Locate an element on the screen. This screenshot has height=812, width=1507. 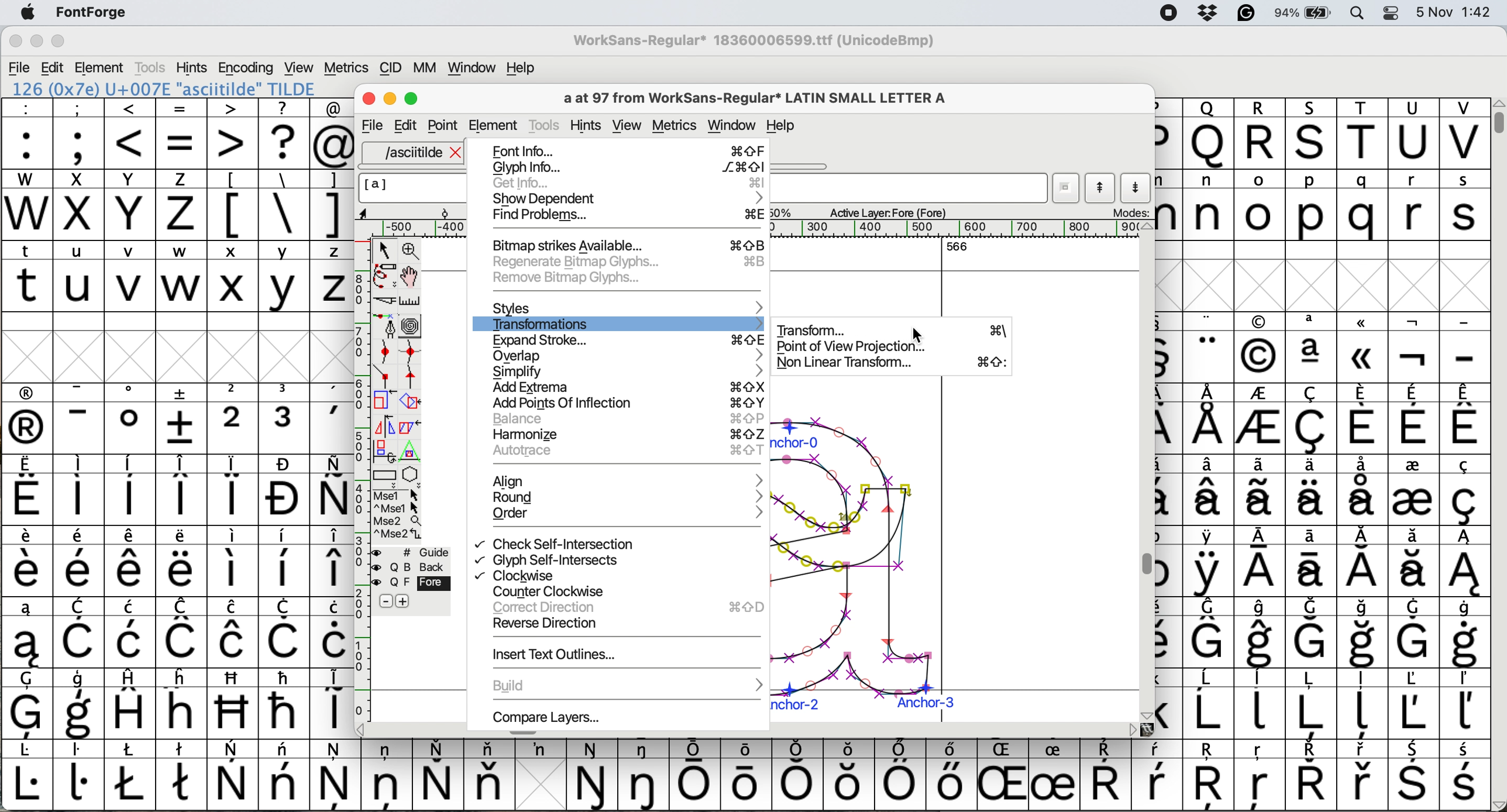
current word list is located at coordinates (1066, 190).